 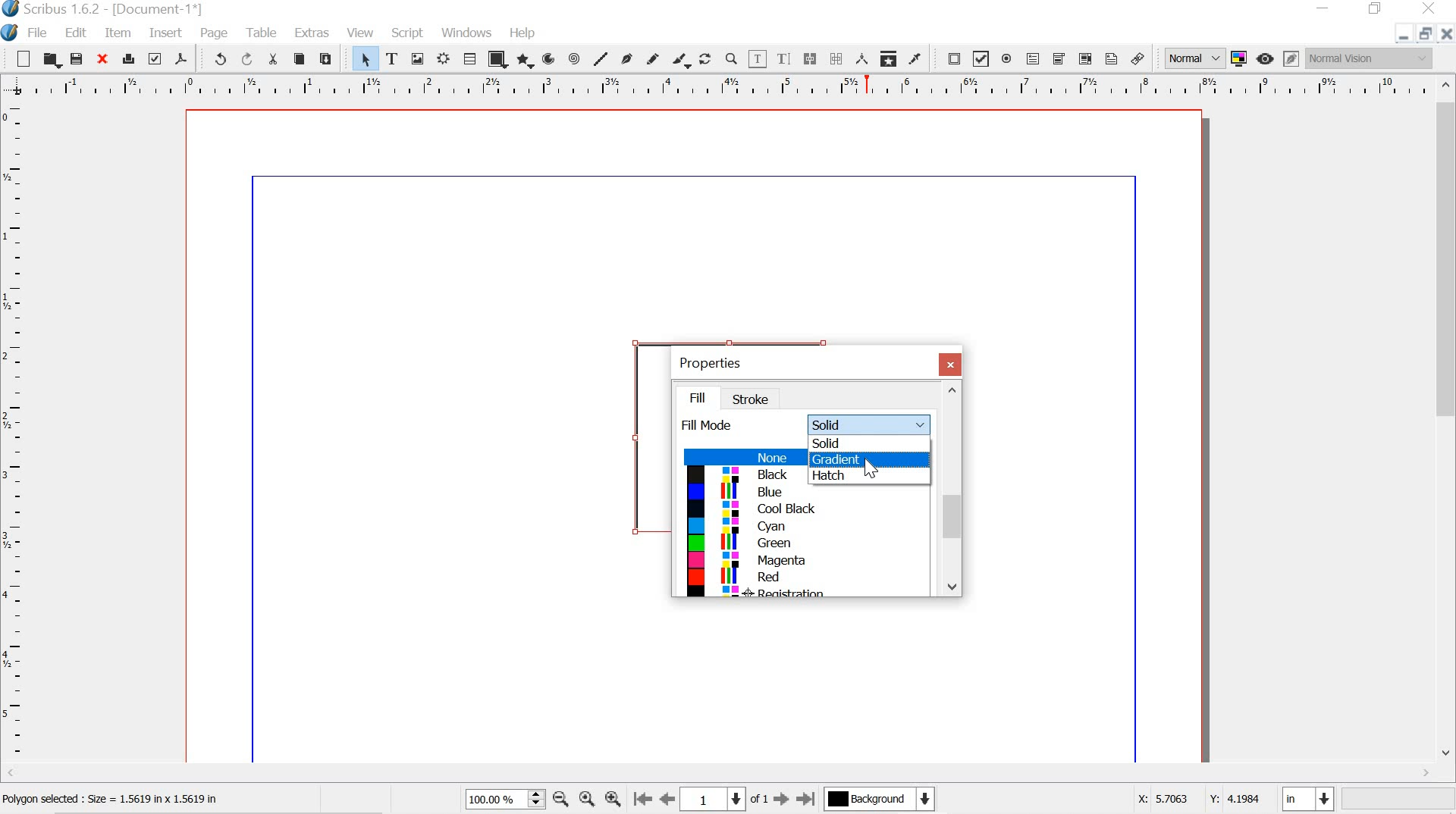 I want to click on table, so click(x=262, y=33).